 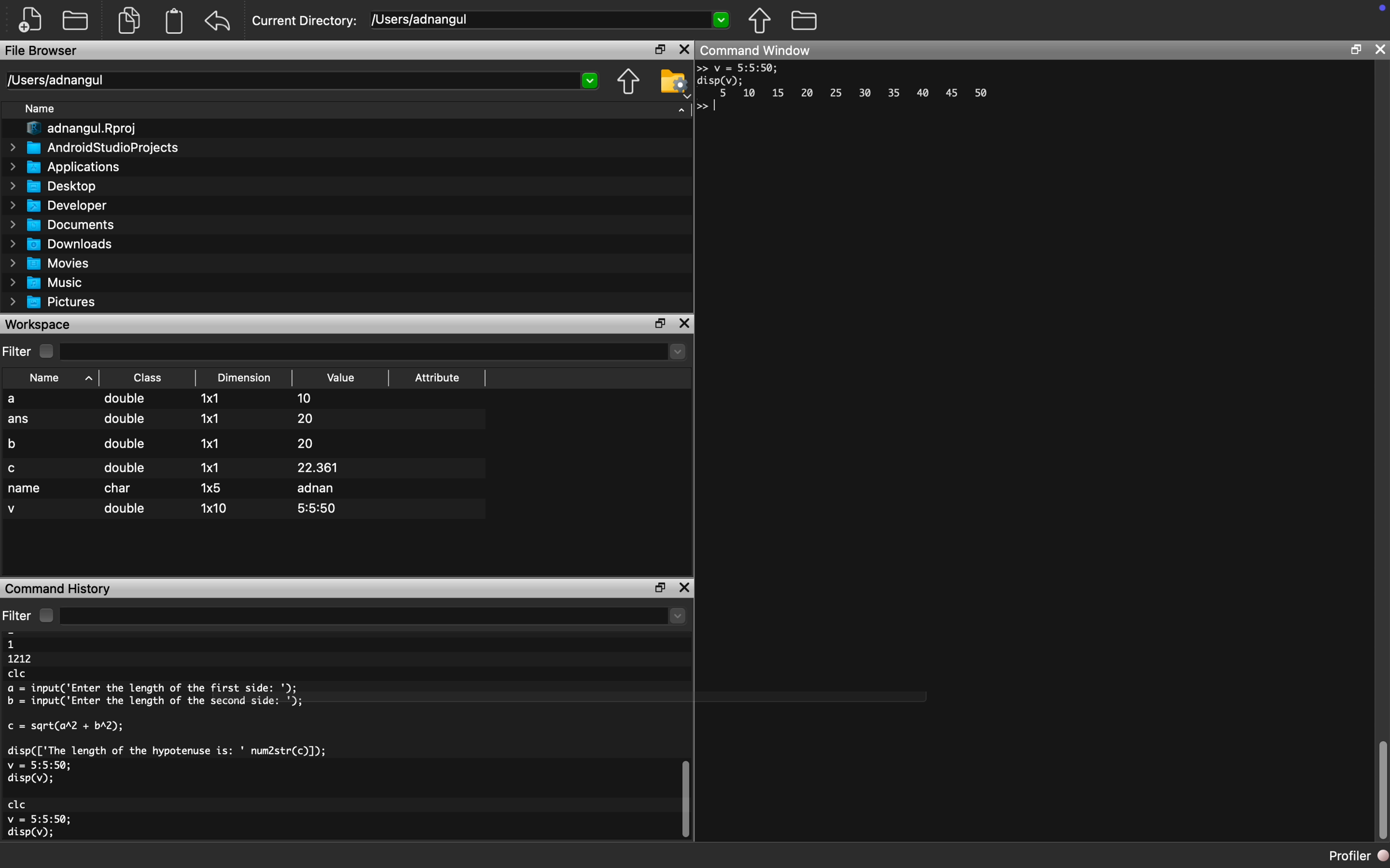 I want to click on Applications, so click(x=65, y=167).